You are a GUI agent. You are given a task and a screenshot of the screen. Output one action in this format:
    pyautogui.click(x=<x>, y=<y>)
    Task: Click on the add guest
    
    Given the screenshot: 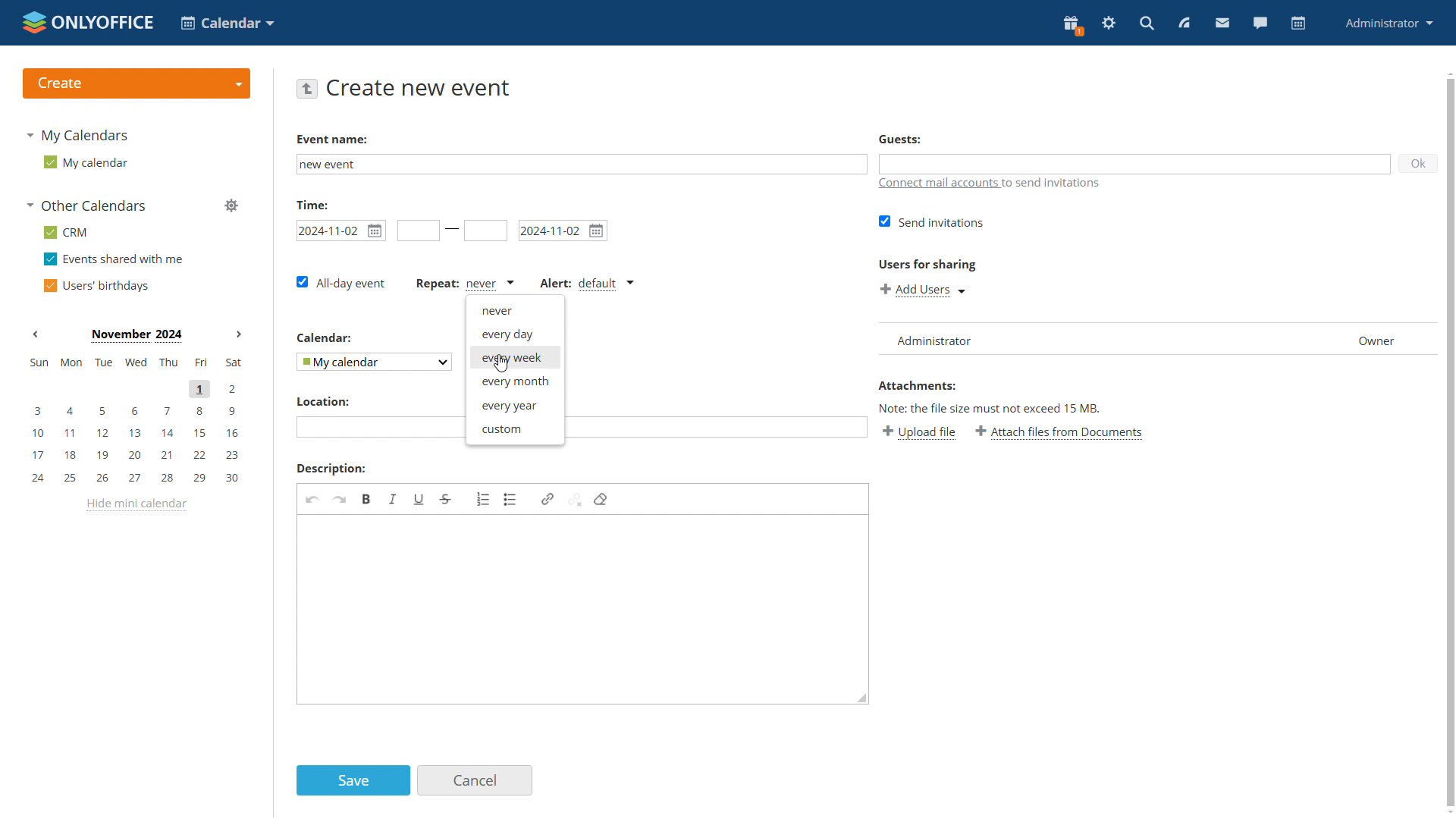 What is the action you would take?
    pyautogui.click(x=1136, y=164)
    